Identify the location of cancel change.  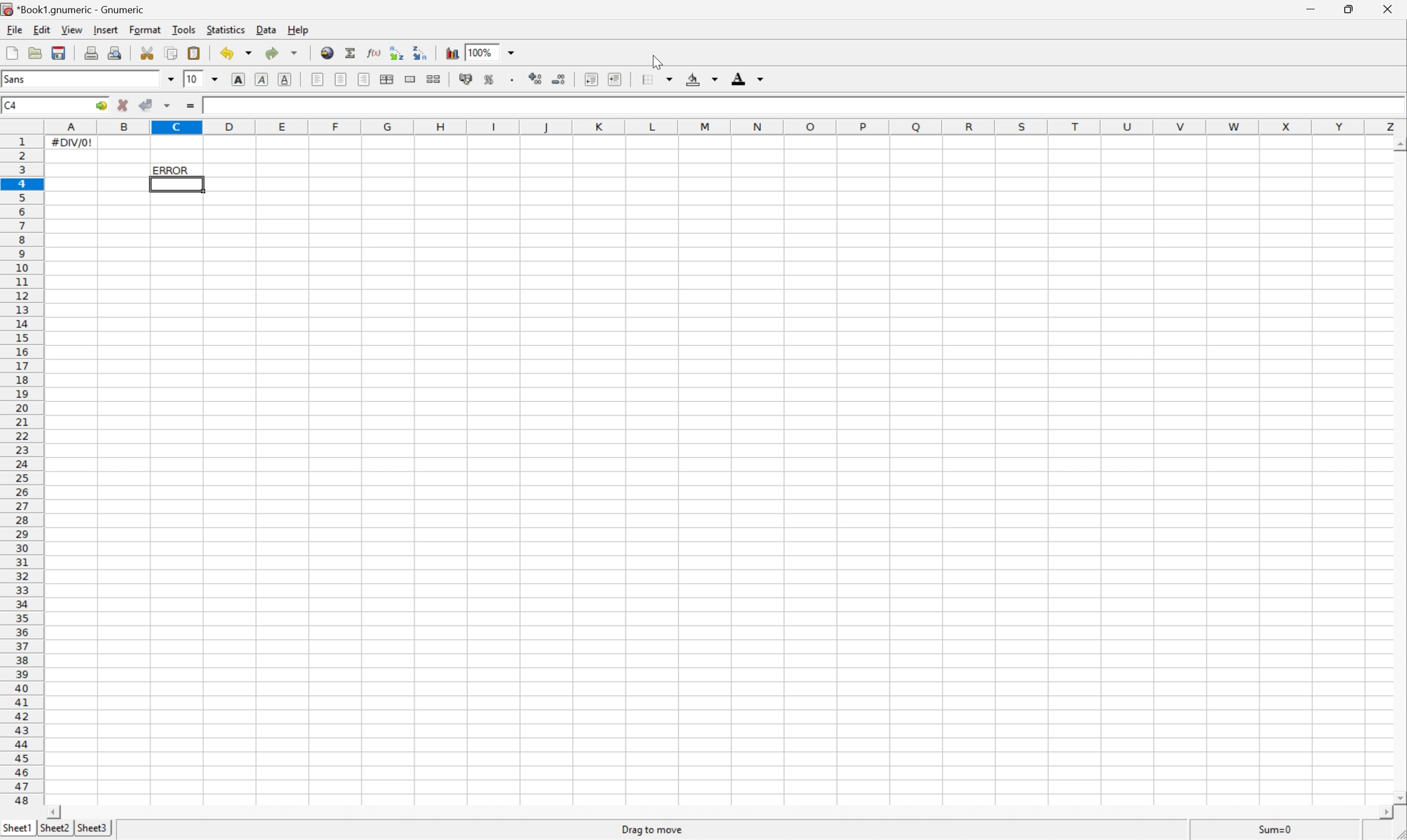
(124, 106).